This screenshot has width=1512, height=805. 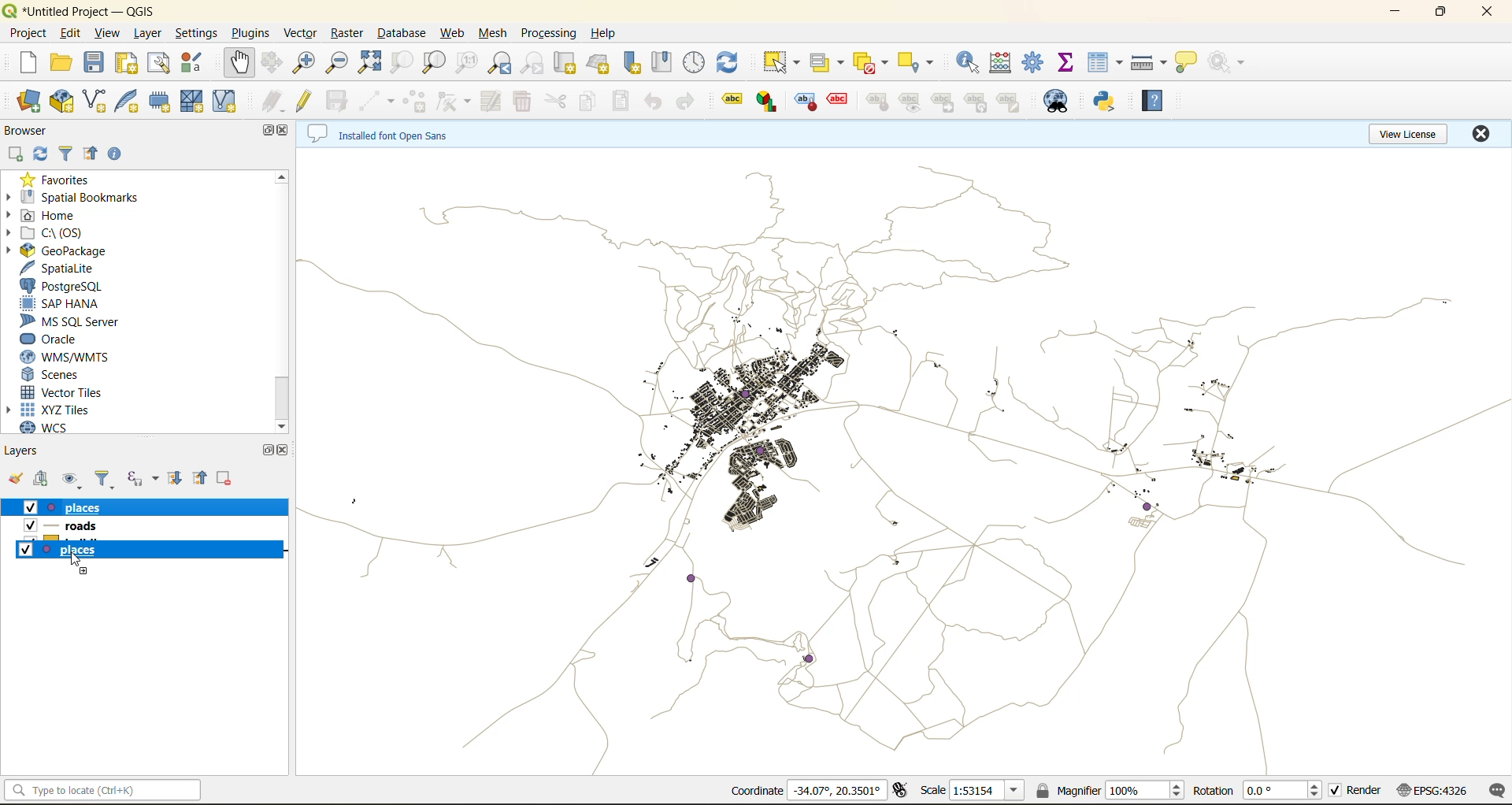 I want to click on print layout, so click(x=123, y=63).